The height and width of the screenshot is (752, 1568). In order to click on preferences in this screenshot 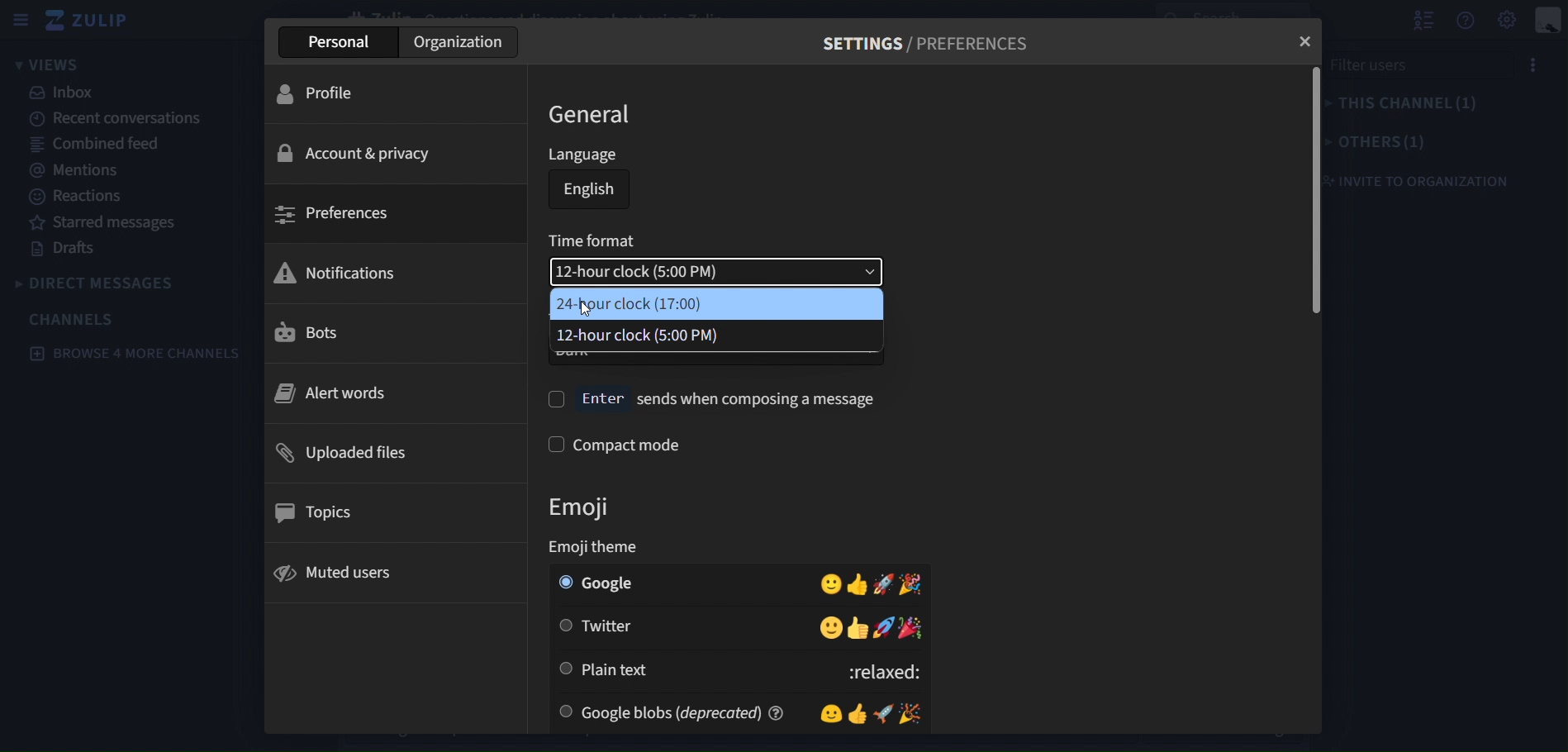, I will do `click(385, 213)`.